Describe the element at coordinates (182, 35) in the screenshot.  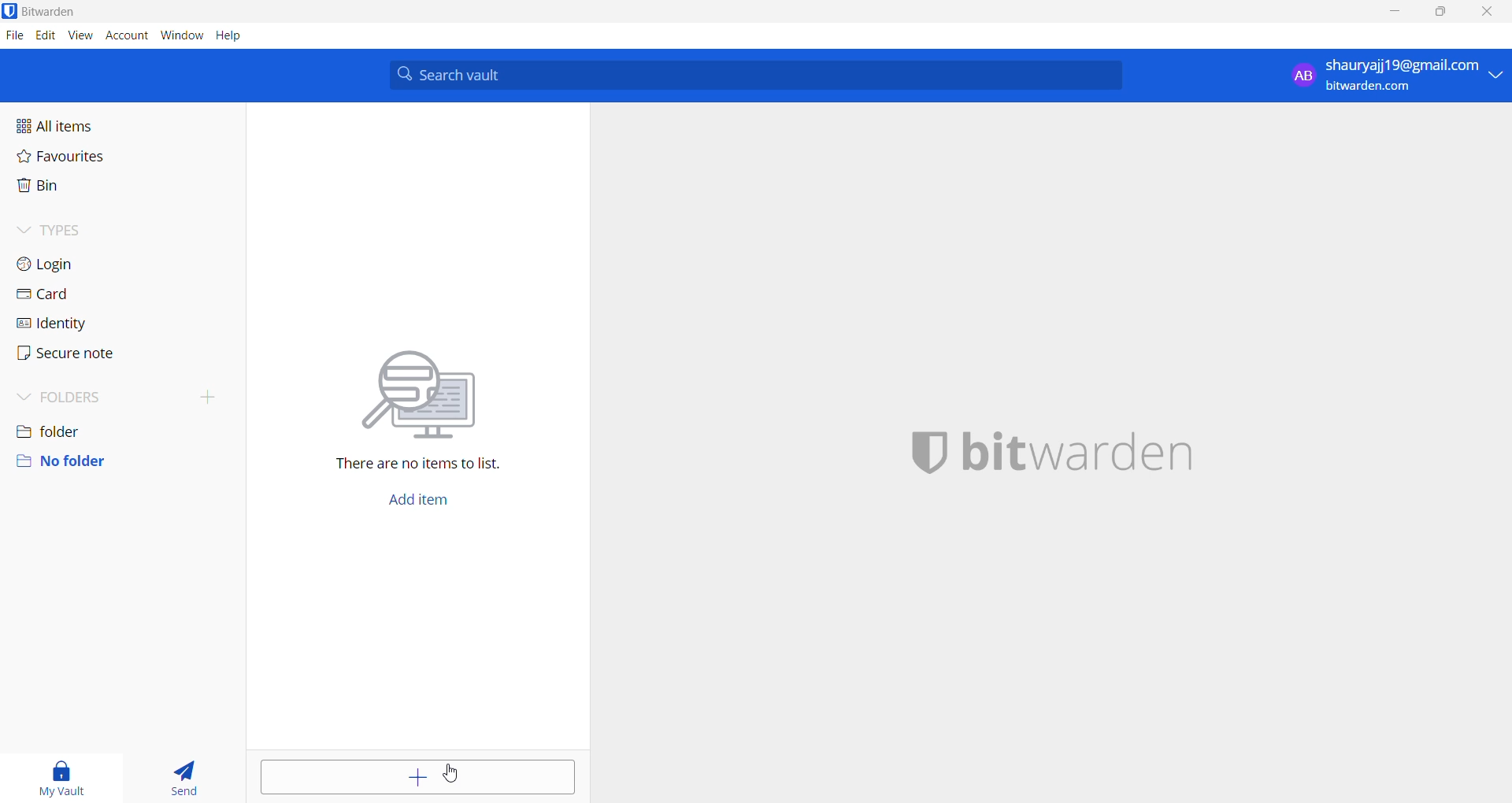
I see `window` at that location.